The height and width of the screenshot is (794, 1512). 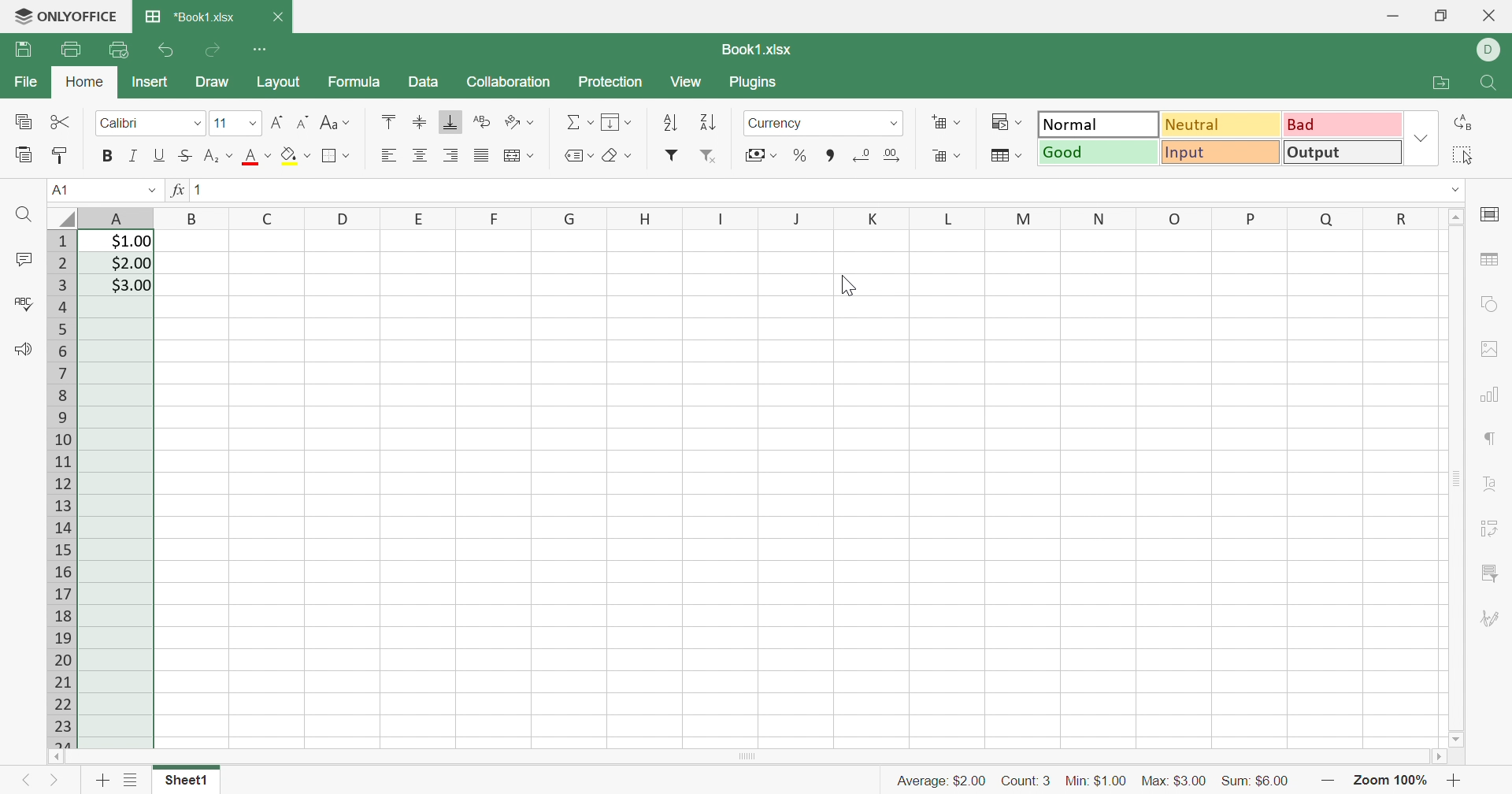 What do you see at coordinates (711, 158) in the screenshot?
I see `Remove filter` at bounding box center [711, 158].